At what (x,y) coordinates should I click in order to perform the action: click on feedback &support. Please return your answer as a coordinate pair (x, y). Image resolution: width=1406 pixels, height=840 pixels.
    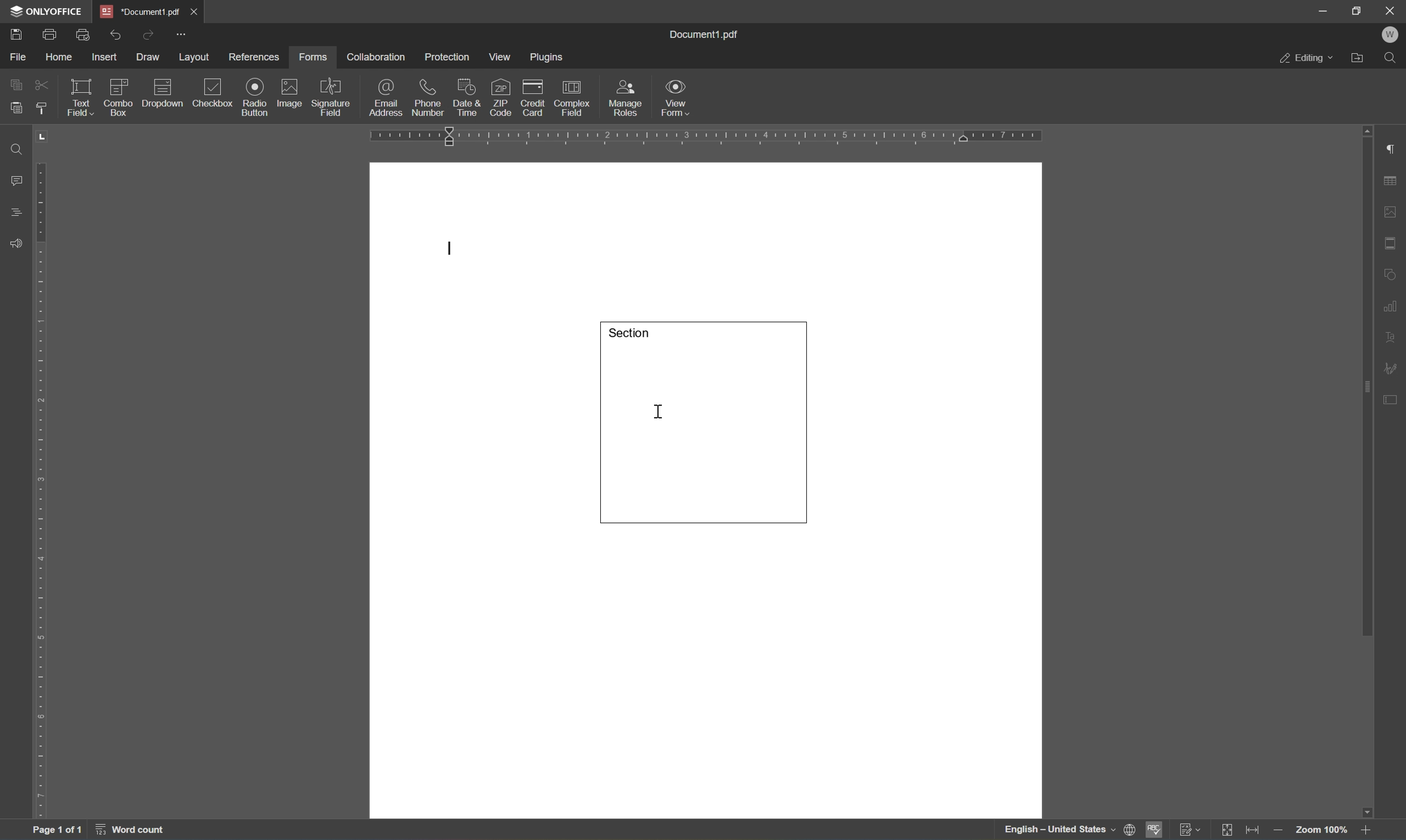
    Looking at the image, I should click on (17, 242).